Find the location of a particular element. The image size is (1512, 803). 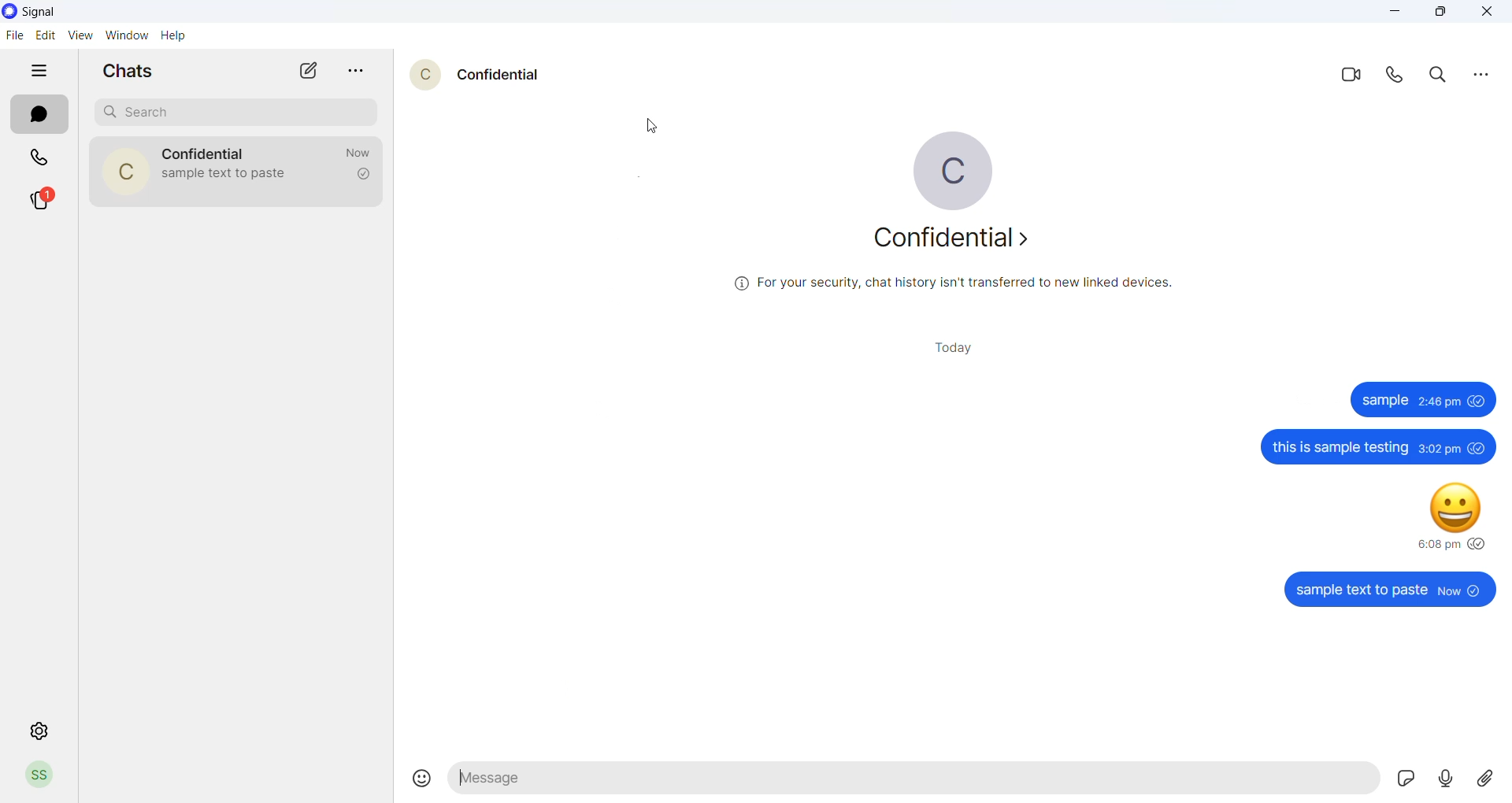

Profile is located at coordinates (41, 775).